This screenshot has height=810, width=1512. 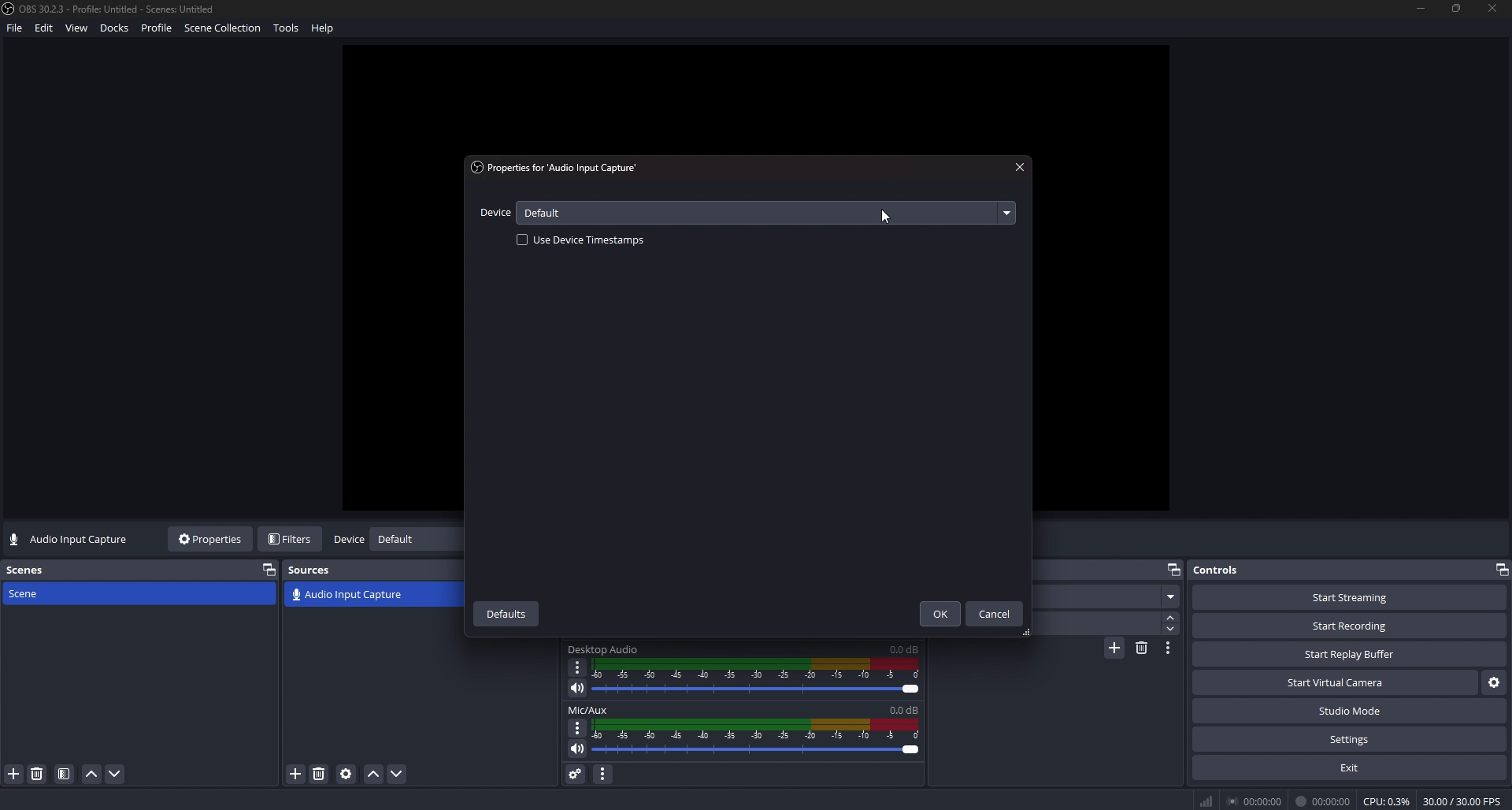 What do you see at coordinates (1349, 767) in the screenshot?
I see `exit` at bounding box center [1349, 767].